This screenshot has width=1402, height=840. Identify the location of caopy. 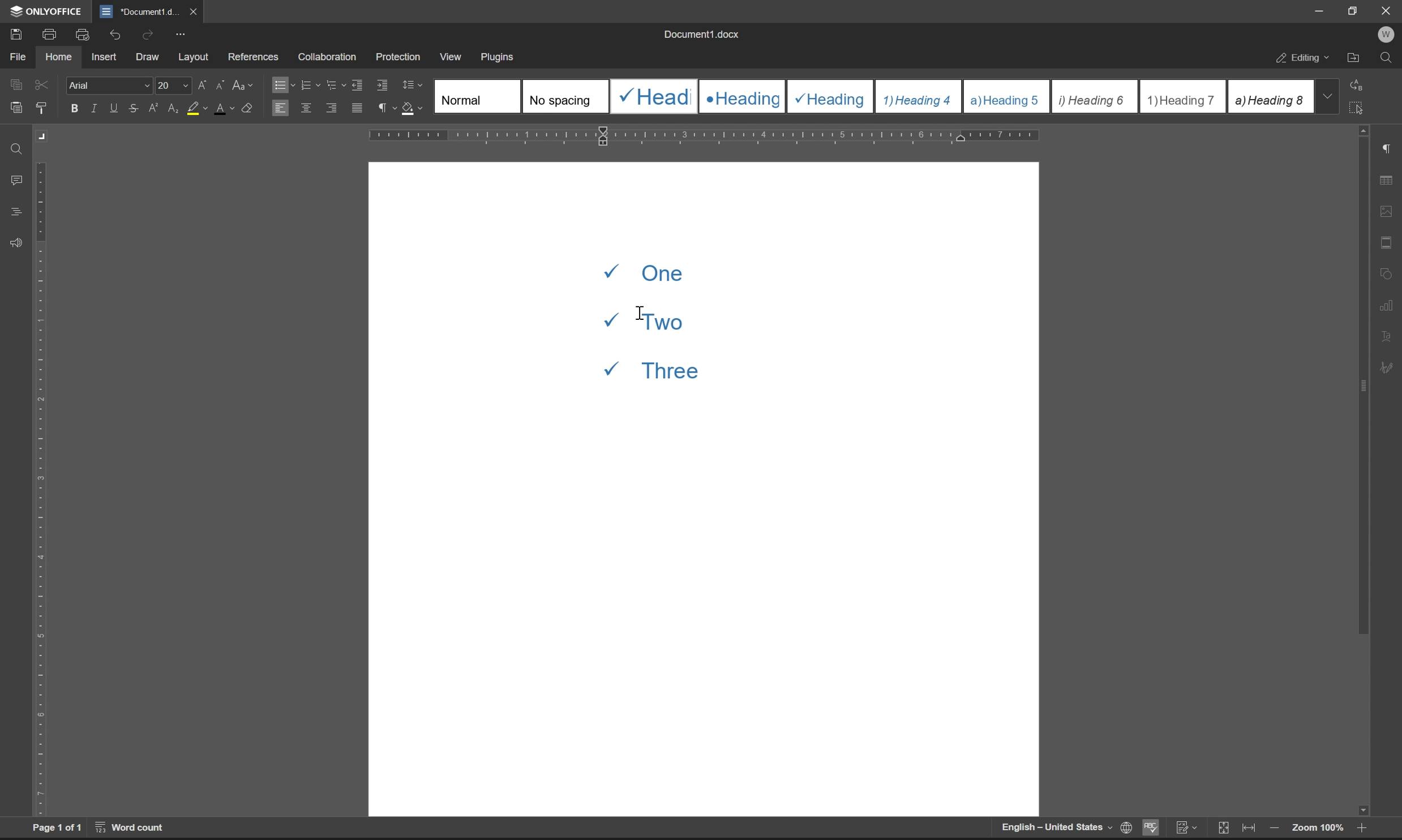
(14, 87).